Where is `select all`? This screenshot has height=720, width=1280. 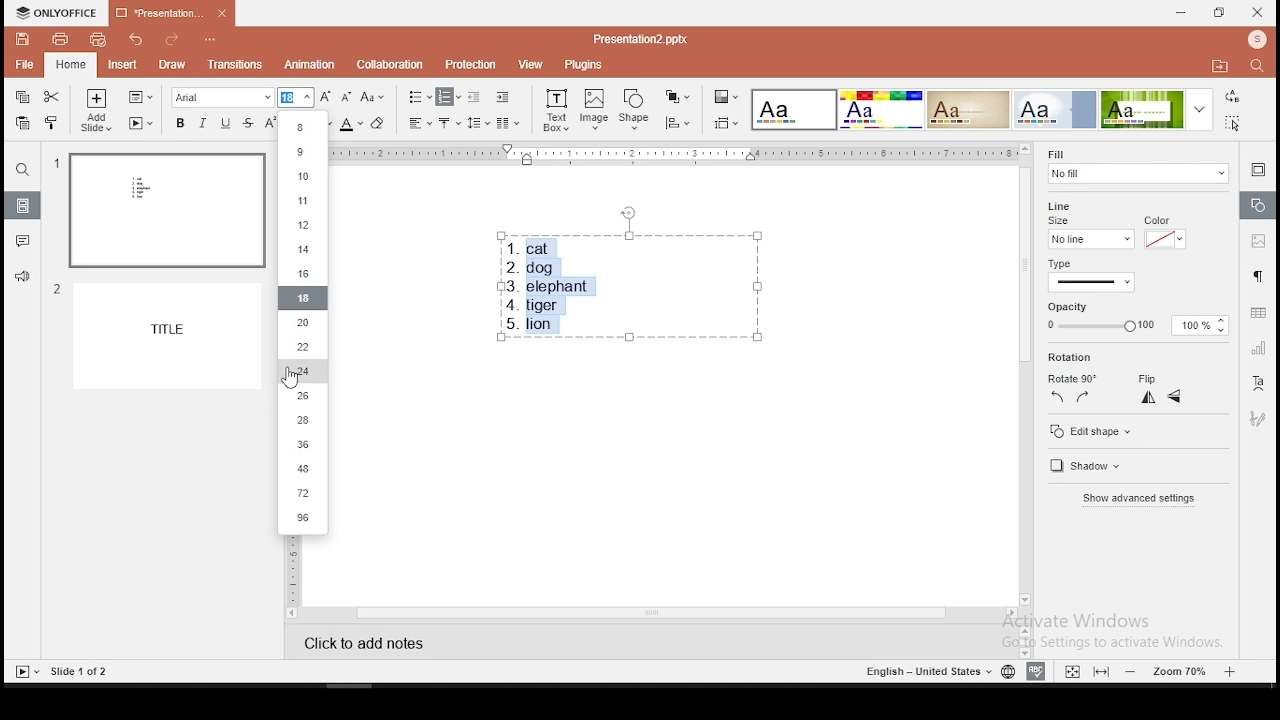 select all is located at coordinates (1234, 125).